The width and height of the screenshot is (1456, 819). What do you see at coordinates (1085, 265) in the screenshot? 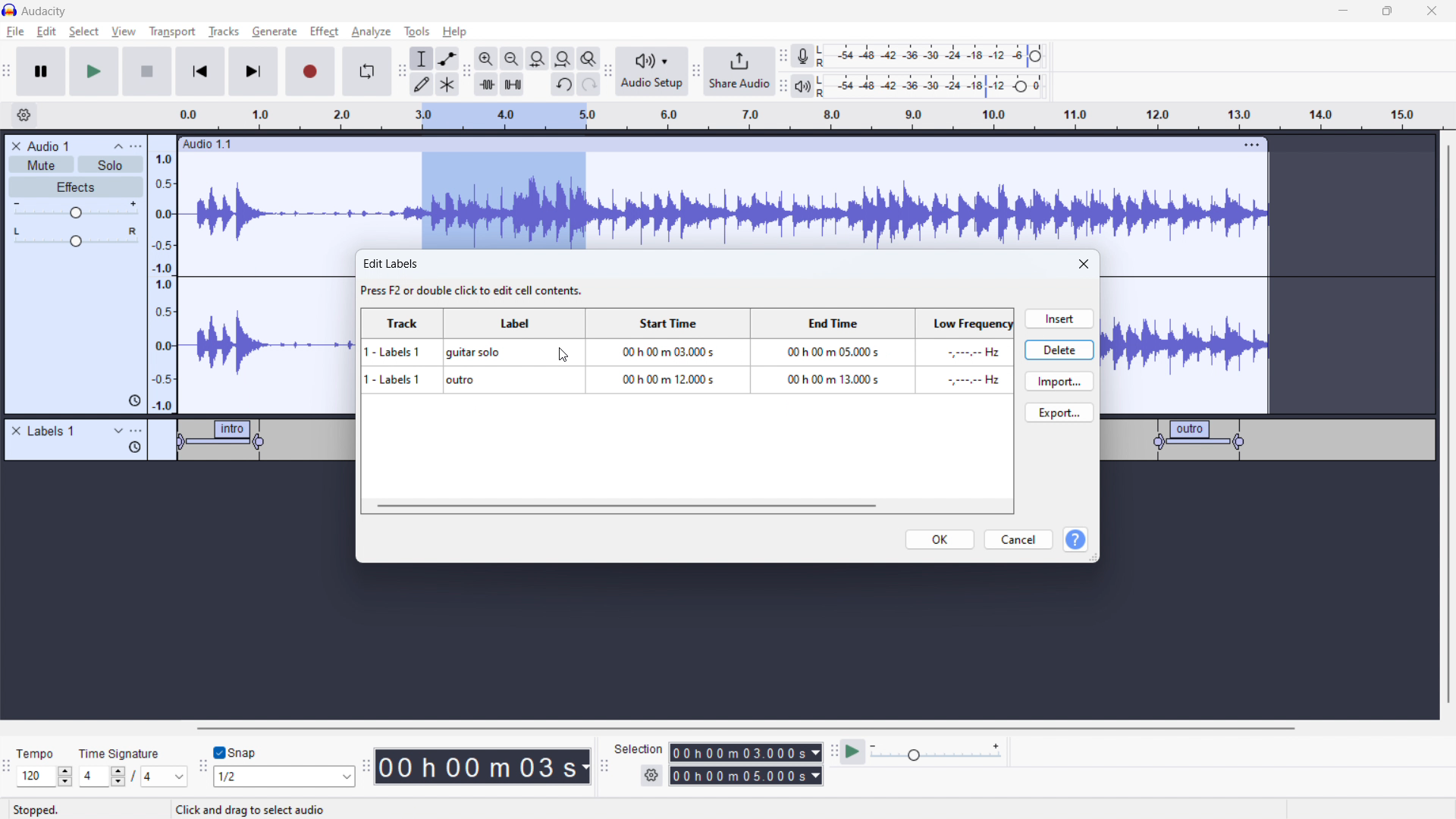
I see `close` at bounding box center [1085, 265].